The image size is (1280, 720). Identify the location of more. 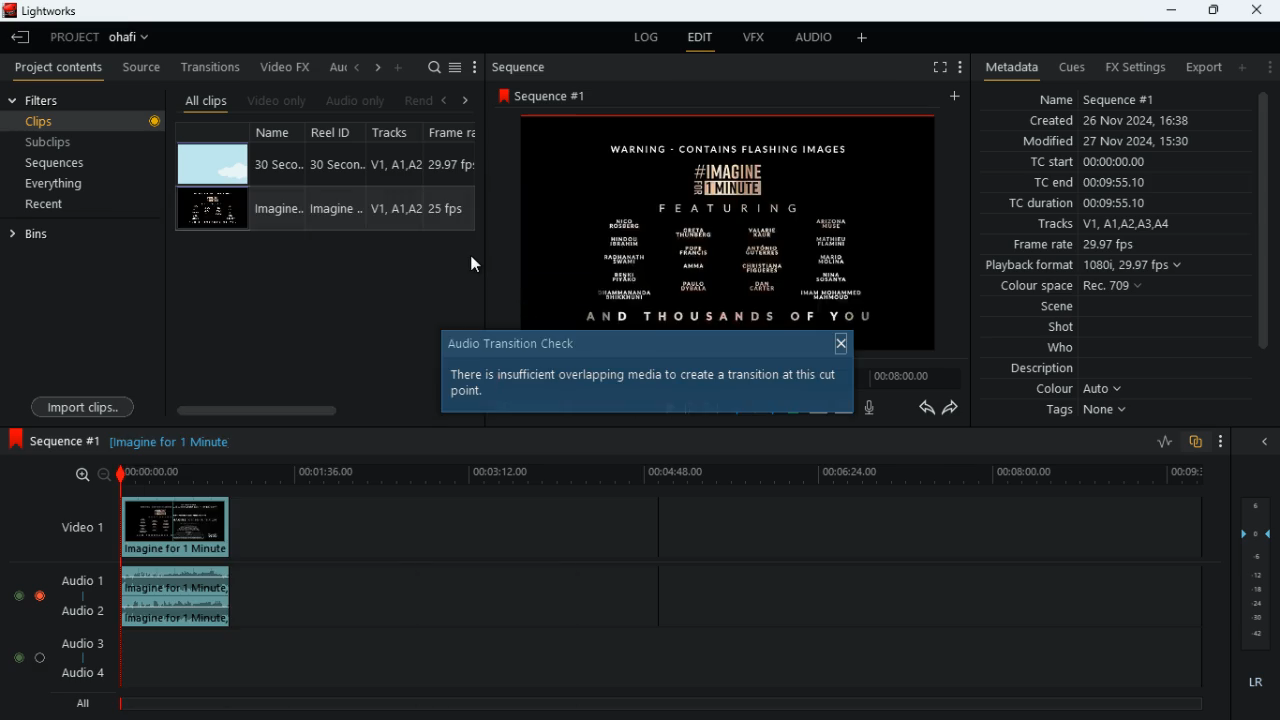
(865, 37).